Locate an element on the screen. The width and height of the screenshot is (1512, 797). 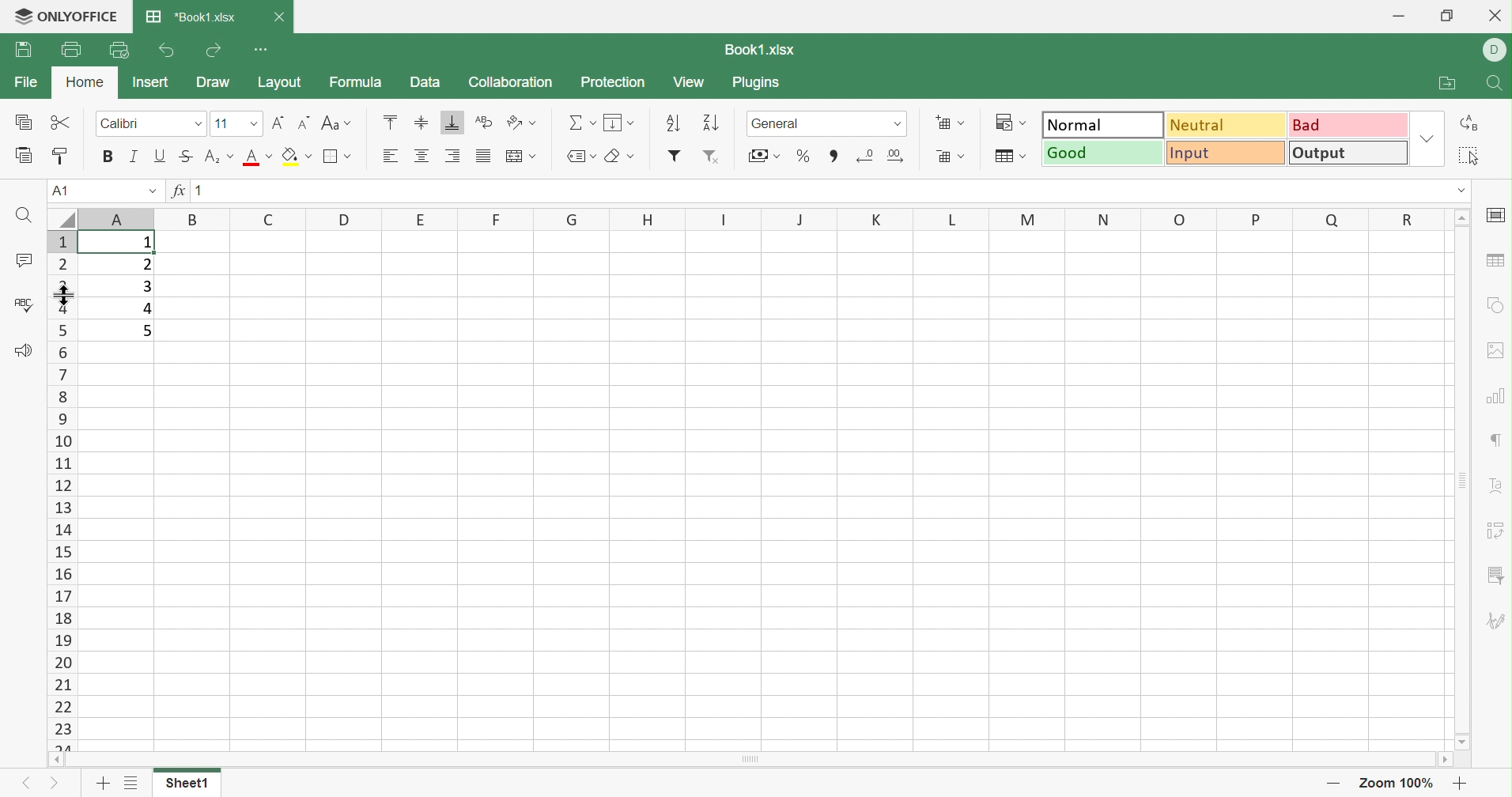
Accounting style is located at coordinates (756, 157).